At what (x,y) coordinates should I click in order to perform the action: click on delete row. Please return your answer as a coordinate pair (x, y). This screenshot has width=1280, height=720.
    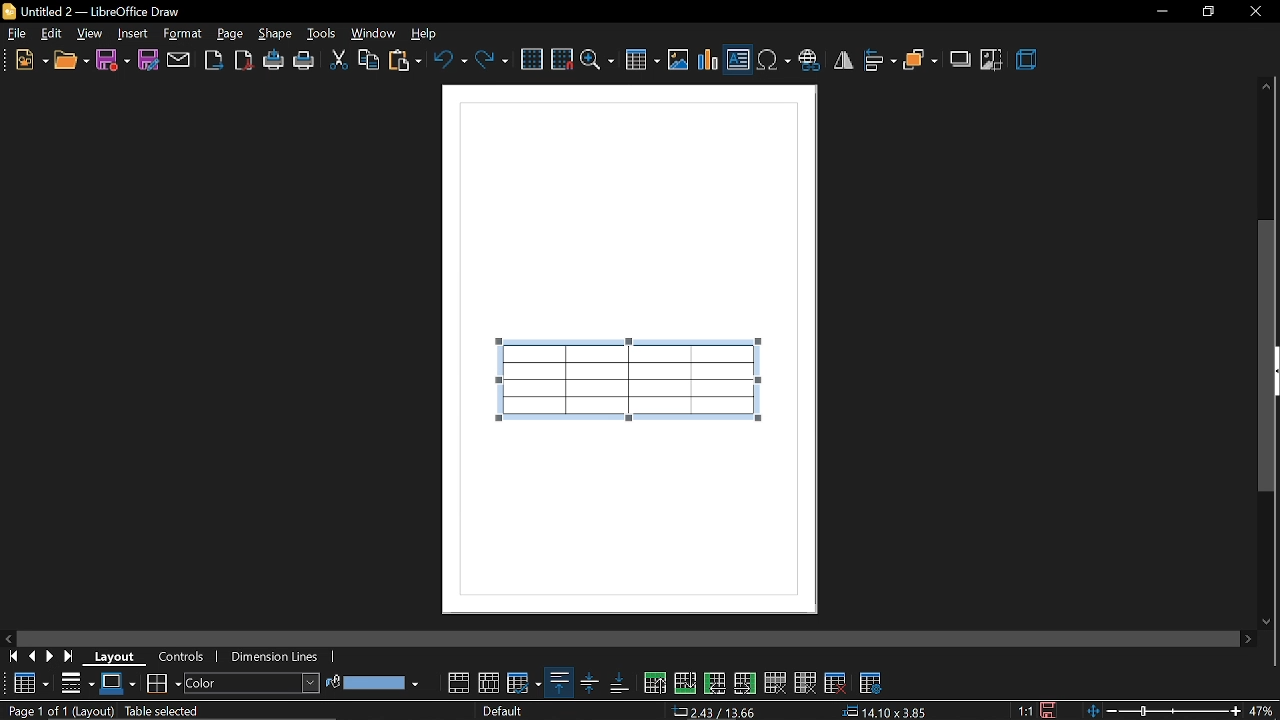
    Looking at the image, I should click on (775, 682).